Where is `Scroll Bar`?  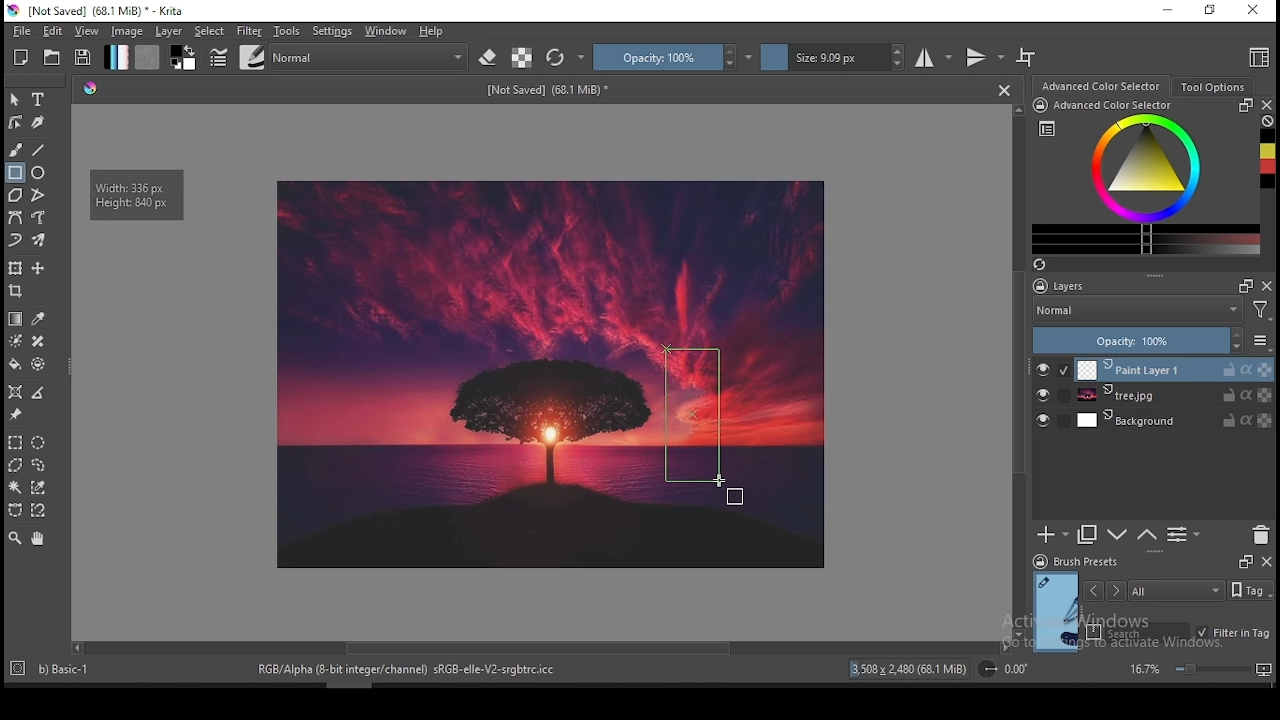
Scroll Bar is located at coordinates (539, 649).